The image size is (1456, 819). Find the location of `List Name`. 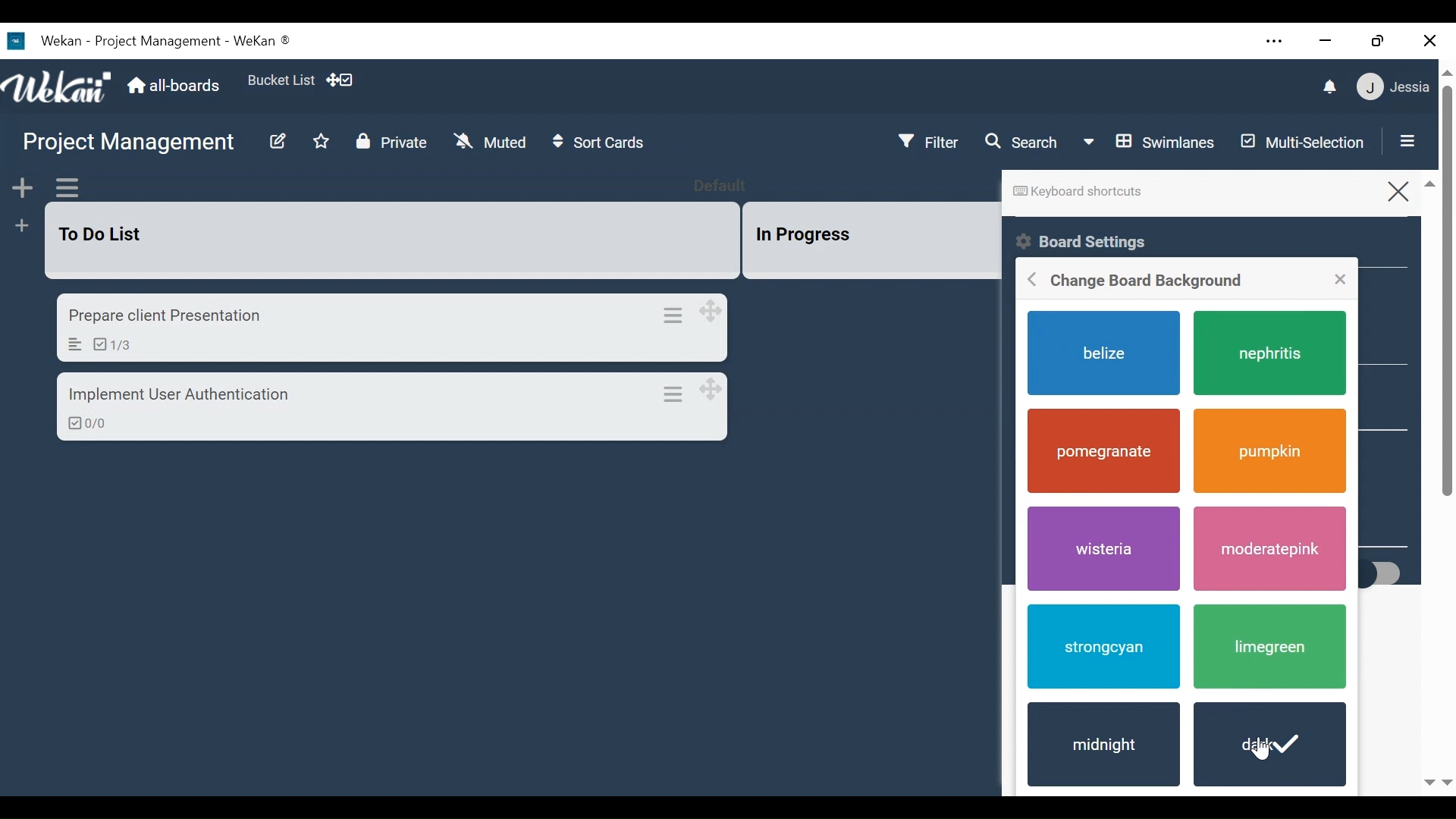

List Name is located at coordinates (800, 235).